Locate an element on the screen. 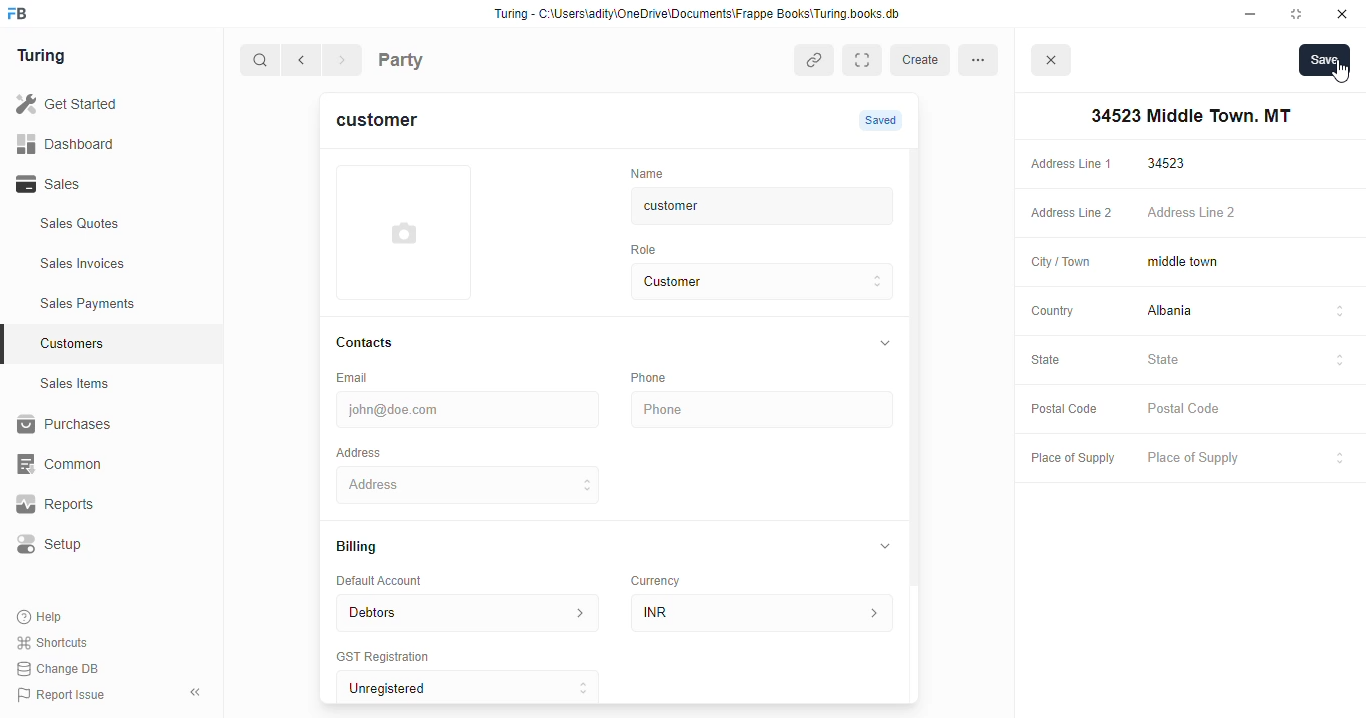  ‘Name is located at coordinates (652, 172).